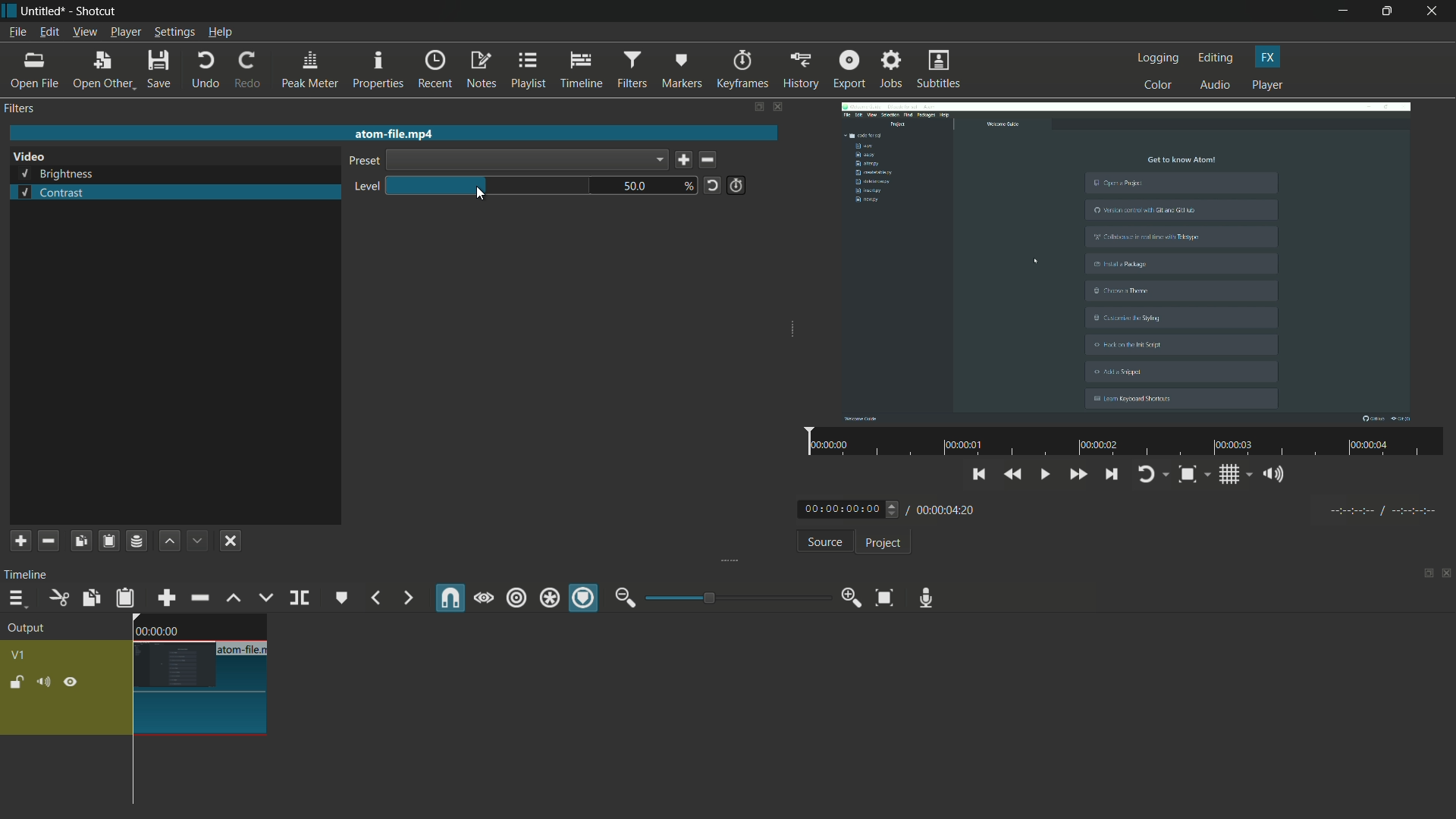 This screenshot has width=1456, height=819. Describe the element at coordinates (736, 185) in the screenshot. I see `use keyframes for this parameter` at that location.